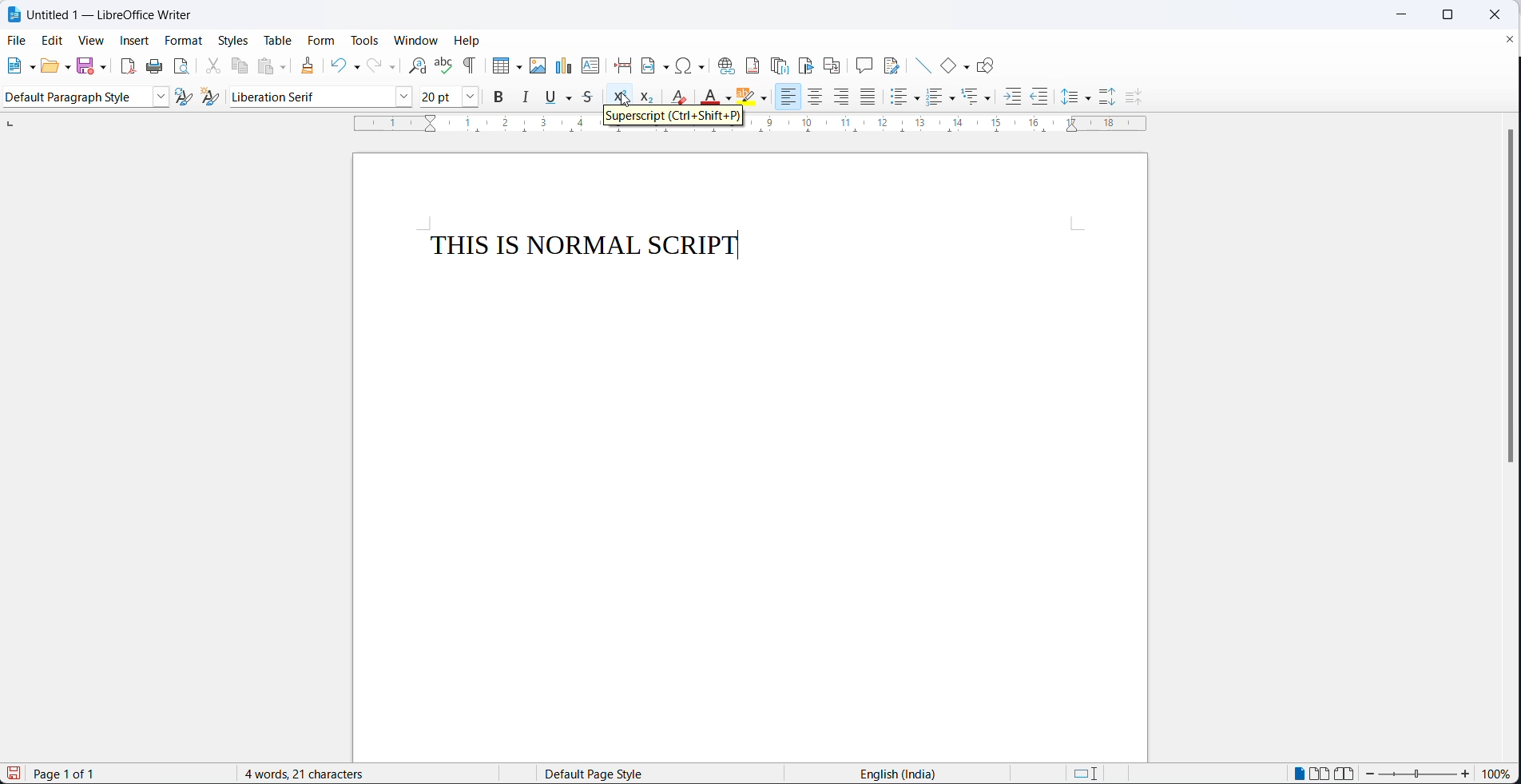  I want to click on cursor, so click(624, 101).